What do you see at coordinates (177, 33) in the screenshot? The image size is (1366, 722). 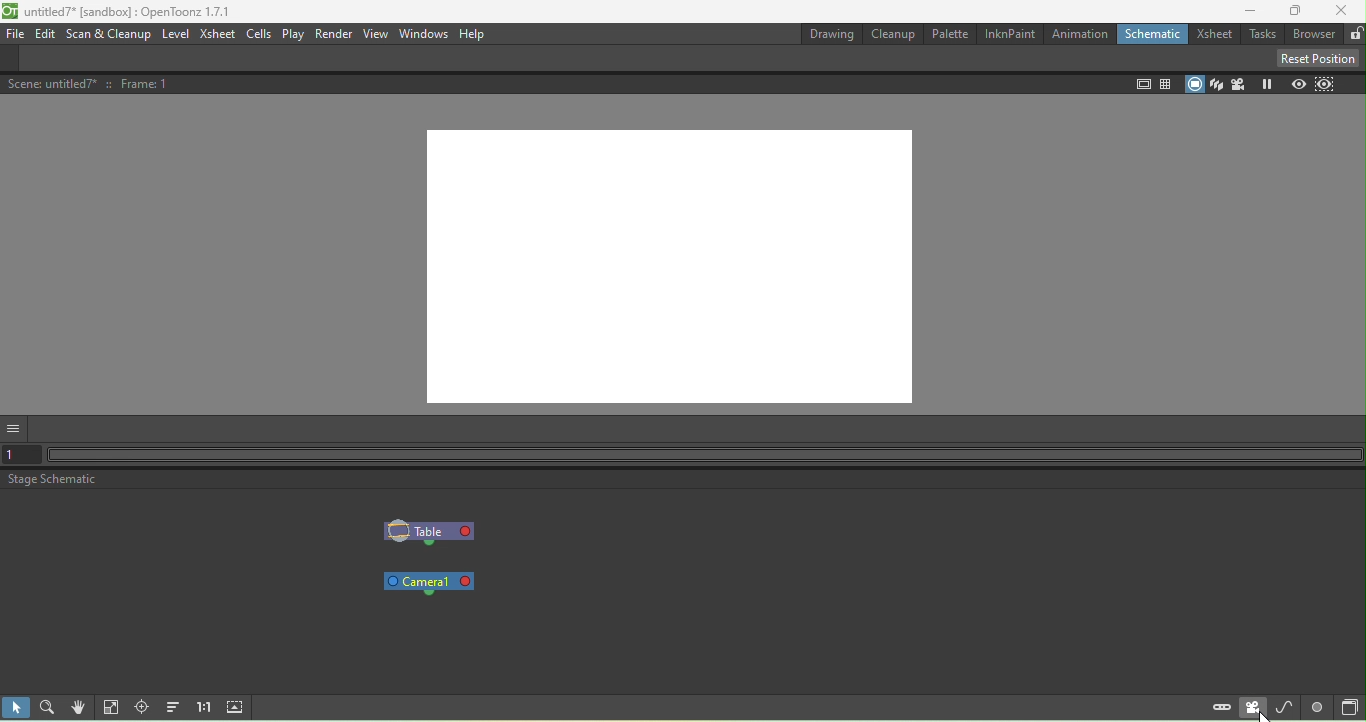 I see `Level` at bounding box center [177, 33].